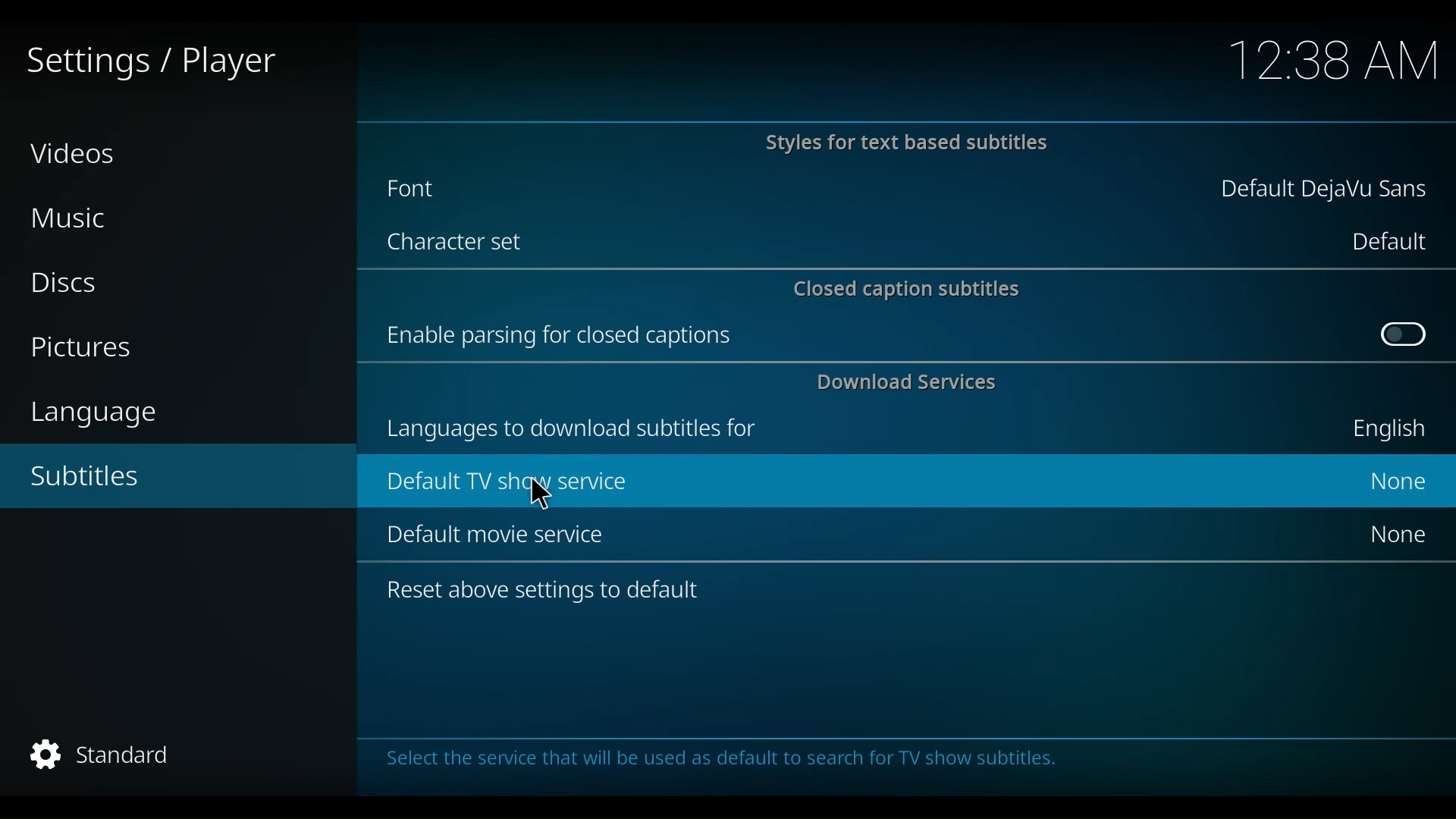 This screenshot has height=819, width=1456. Describe the element at coordinates (753, 764) in the screenshot. I see `Select the service that will be used as default to search for TV show subtitles.` at that location.